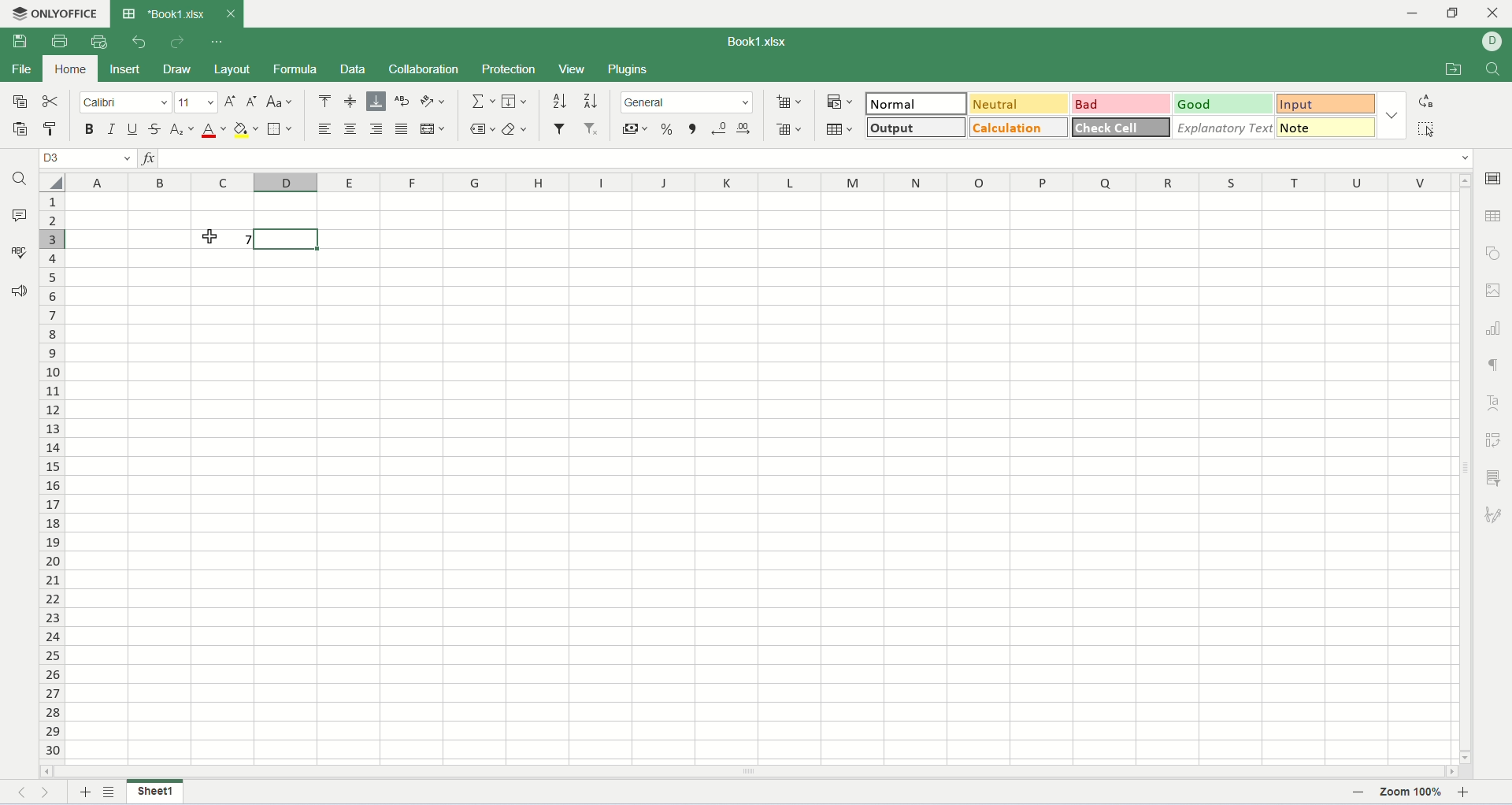  What do you see at coordinates (689, 103) in the screenshot?
I see `number format` at bounding box center [689, 103].